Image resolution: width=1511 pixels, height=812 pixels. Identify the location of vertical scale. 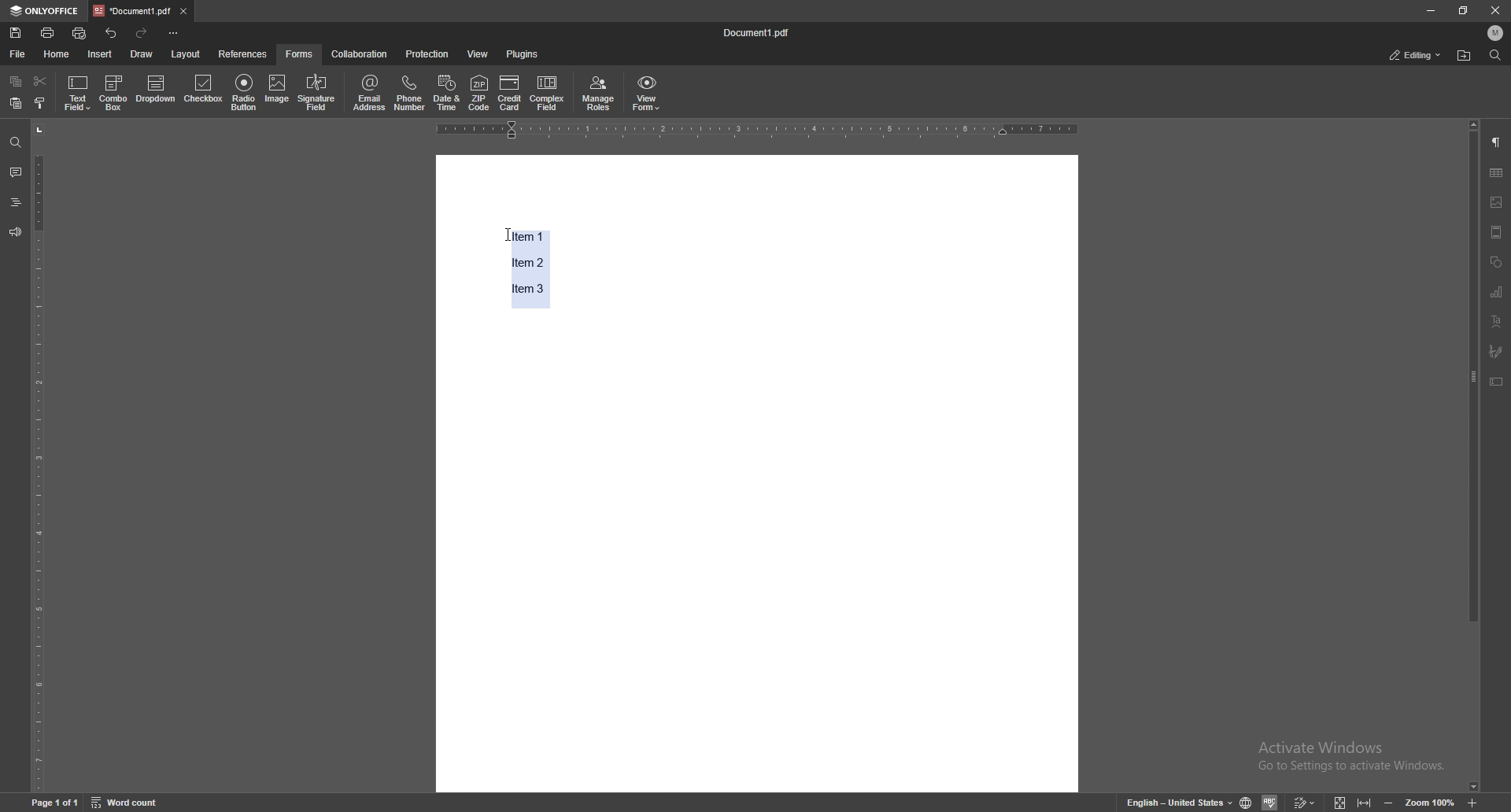
(40, 456).